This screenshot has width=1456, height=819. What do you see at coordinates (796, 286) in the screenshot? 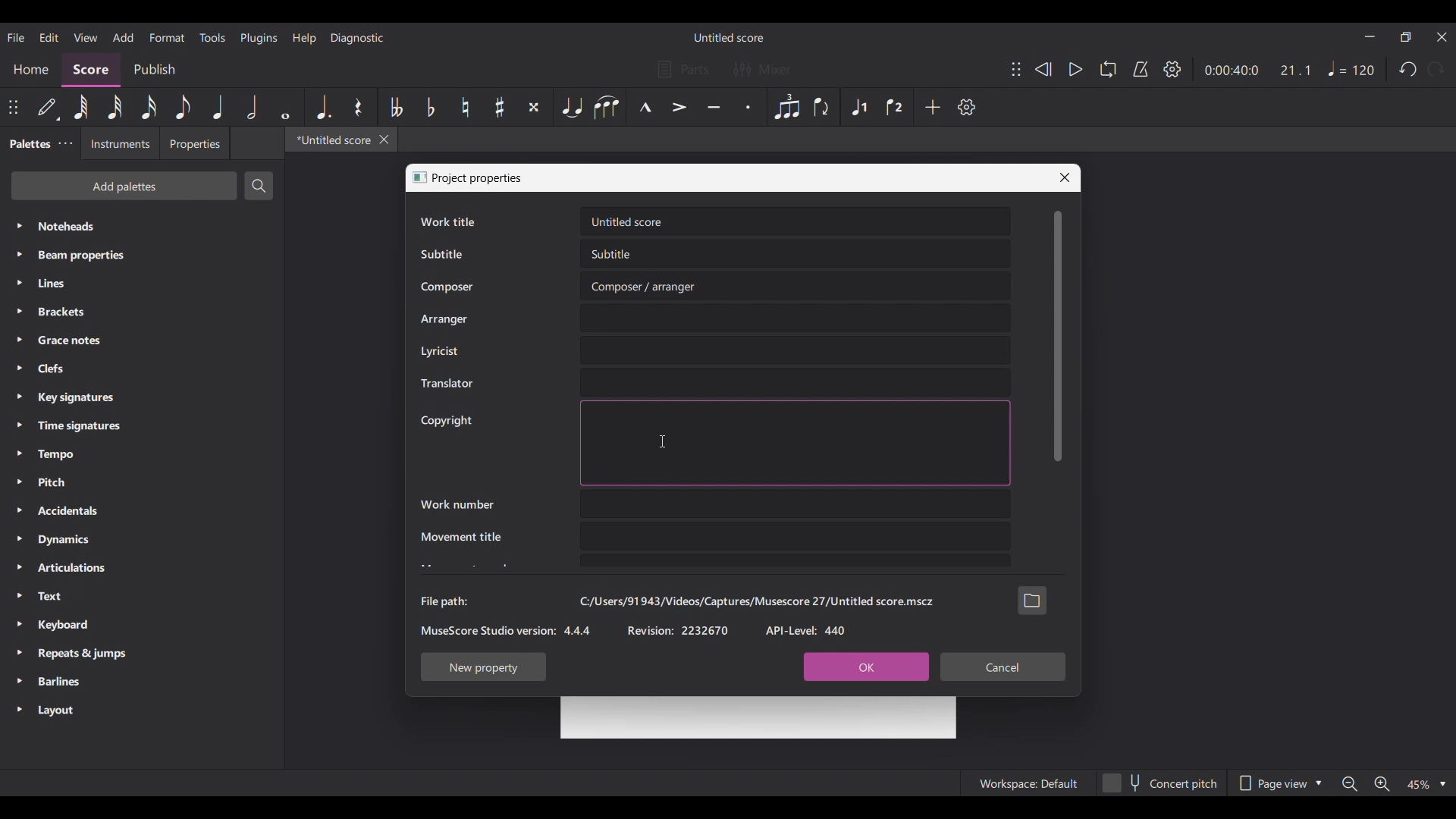
I see `Text box for Composer` at bounding box center [796, 286].